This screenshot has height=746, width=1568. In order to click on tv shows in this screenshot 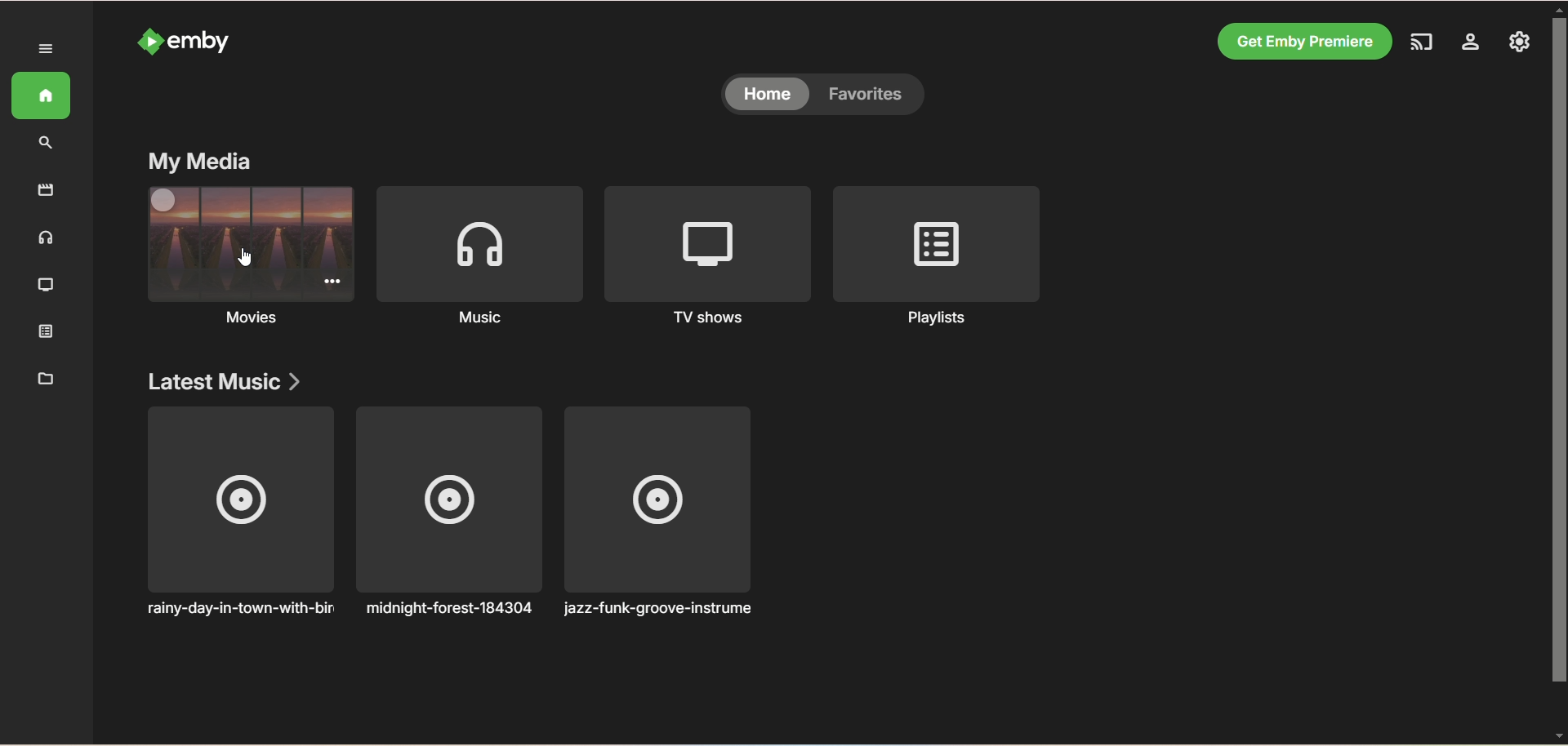, I will do `click(706, 319)`.